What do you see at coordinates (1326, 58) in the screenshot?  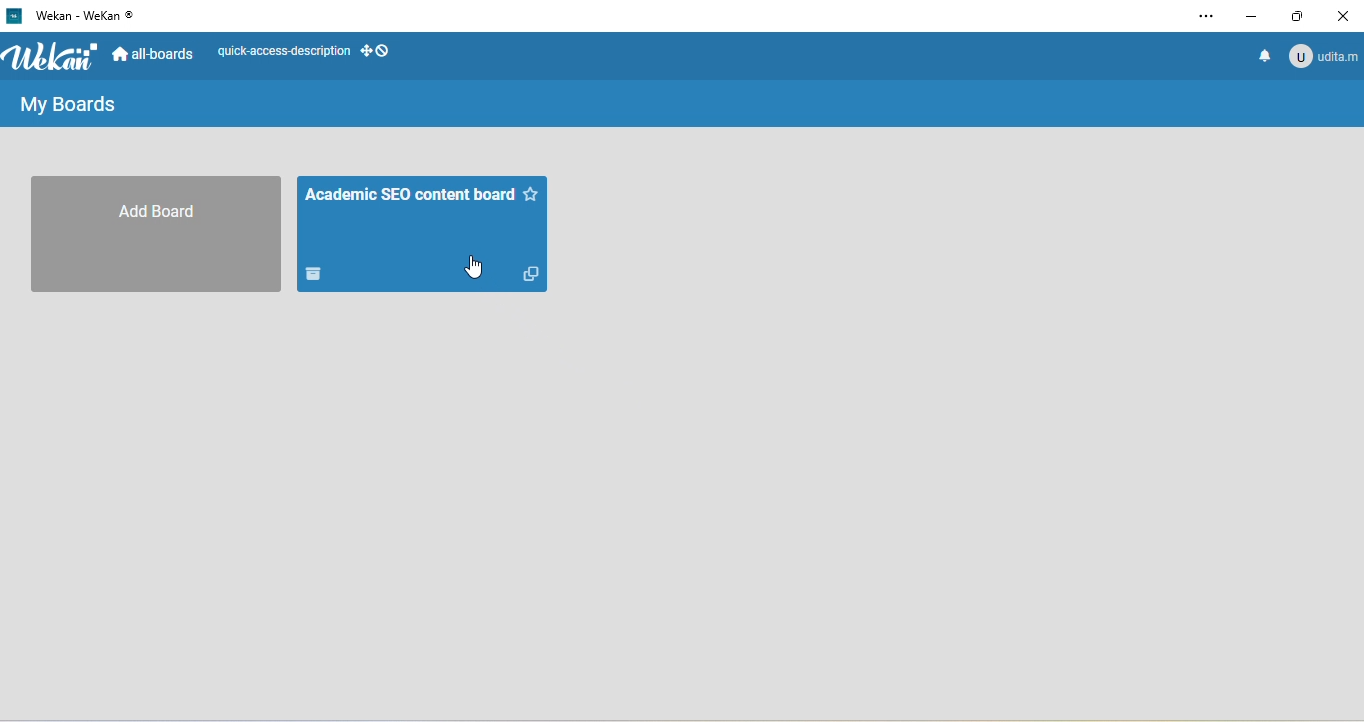 I see `udita m` at bounding box center [1326, 58].